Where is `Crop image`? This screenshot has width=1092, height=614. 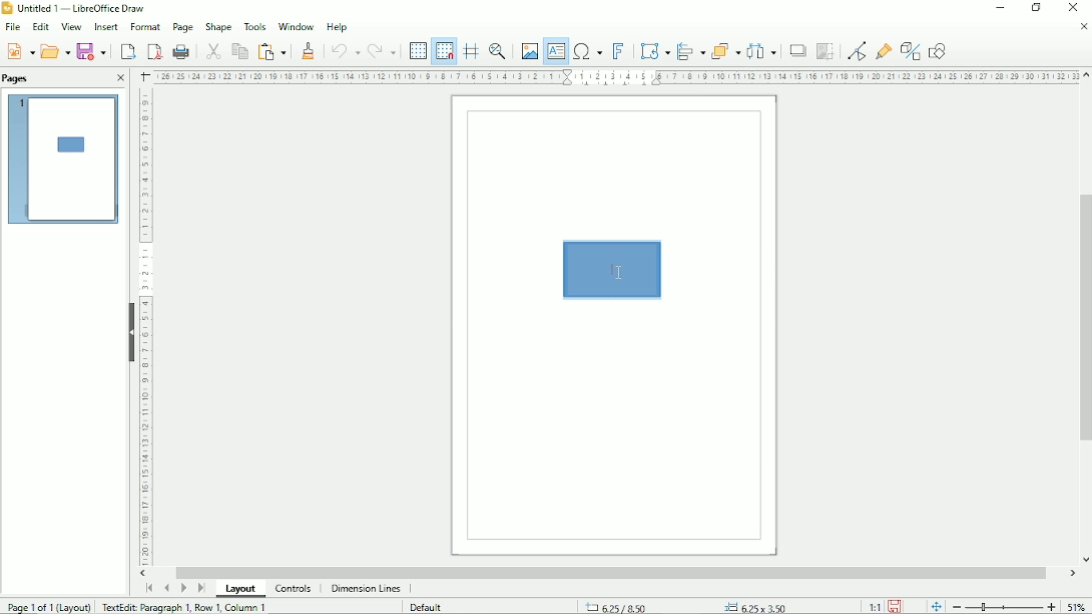
Crop image is located at coordinates (825, 52).